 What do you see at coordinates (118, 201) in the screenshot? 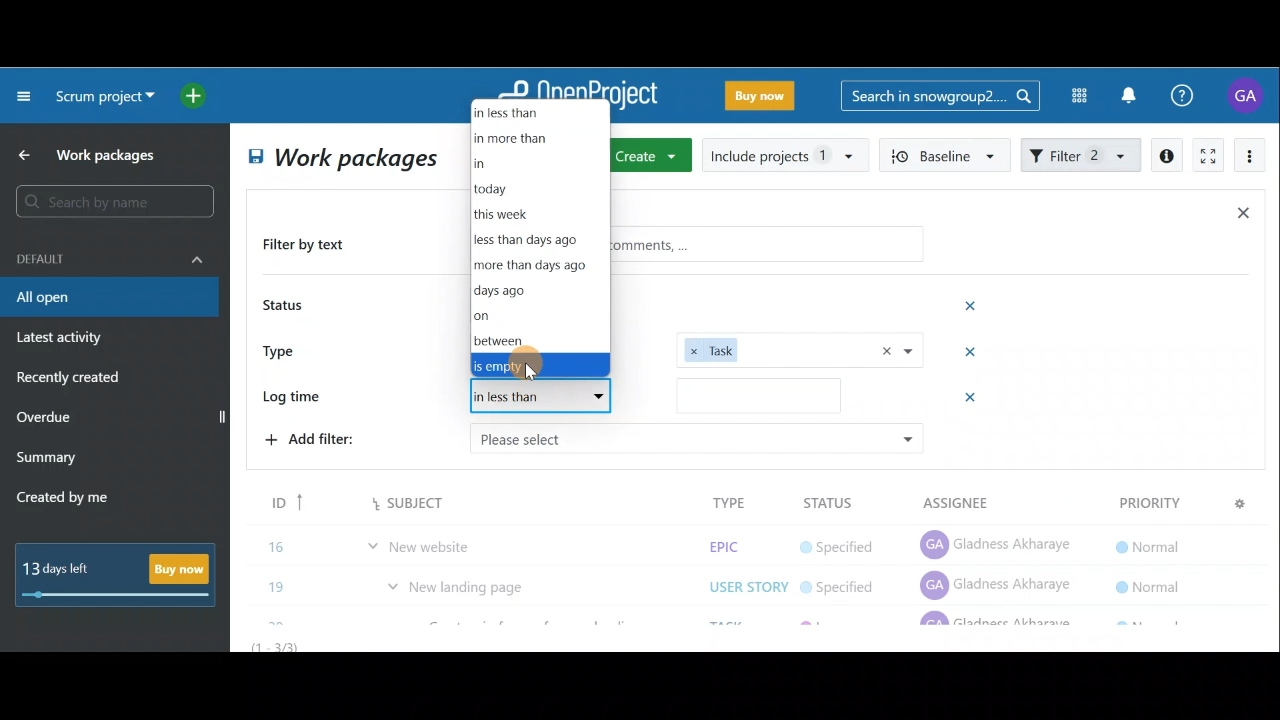
I see `Search bar` at bounding box center [118, 201].